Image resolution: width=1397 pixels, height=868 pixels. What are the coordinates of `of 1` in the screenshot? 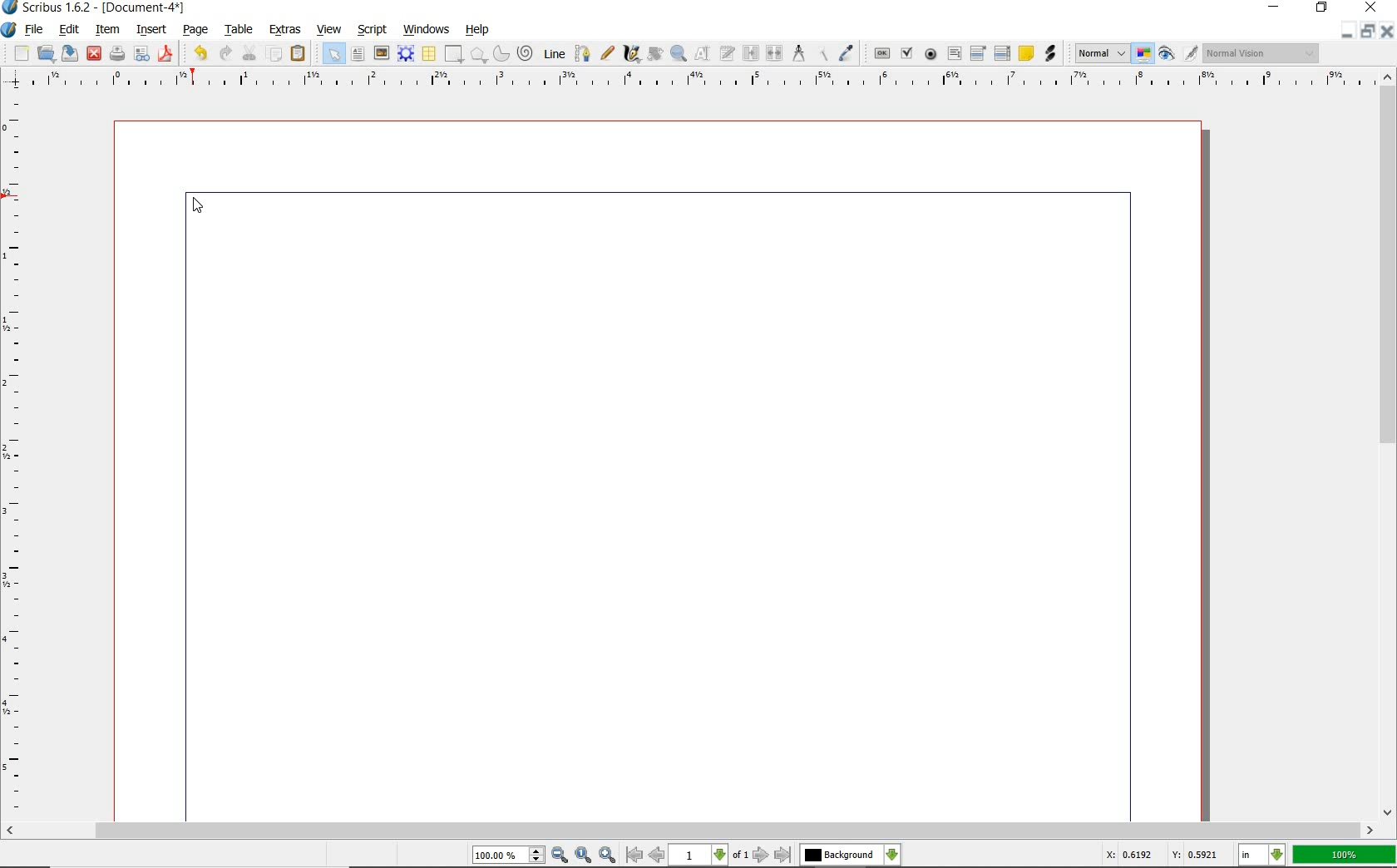 It's located at (742, 856).